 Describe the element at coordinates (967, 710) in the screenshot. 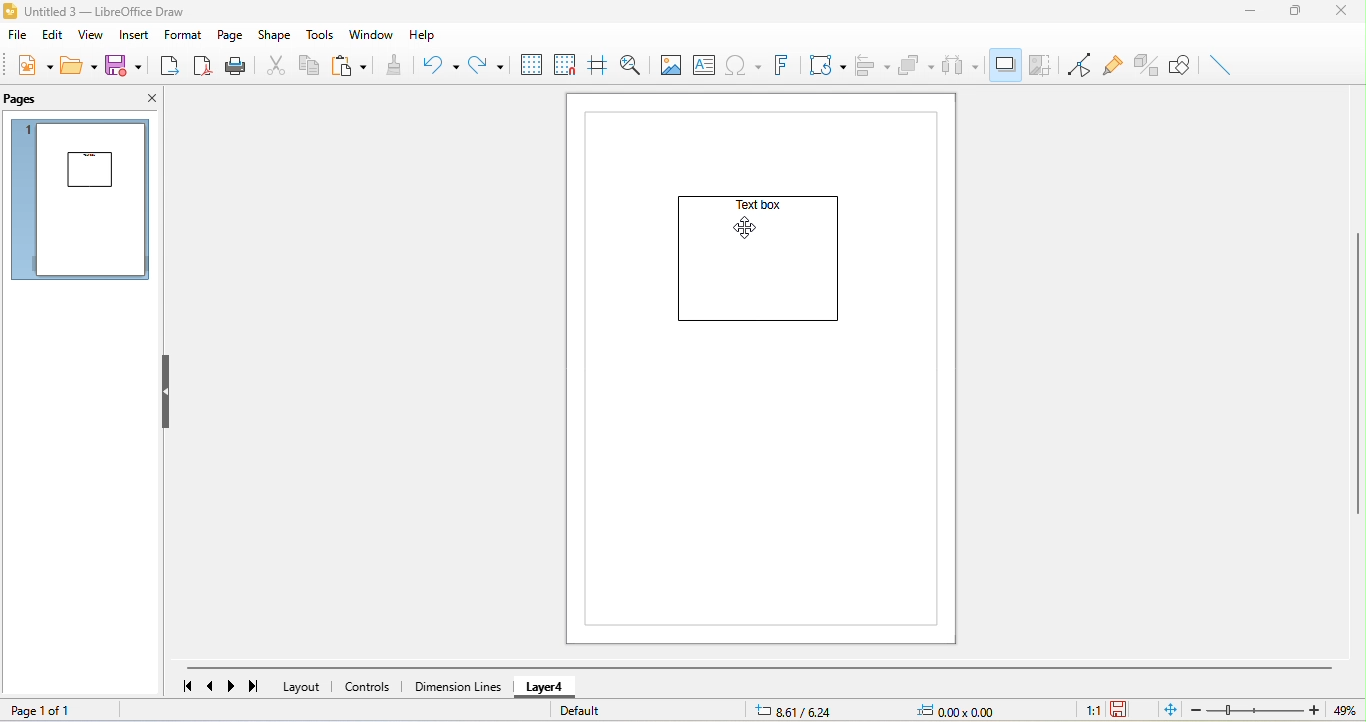

I see `object position-0.00x0.00` at that location.